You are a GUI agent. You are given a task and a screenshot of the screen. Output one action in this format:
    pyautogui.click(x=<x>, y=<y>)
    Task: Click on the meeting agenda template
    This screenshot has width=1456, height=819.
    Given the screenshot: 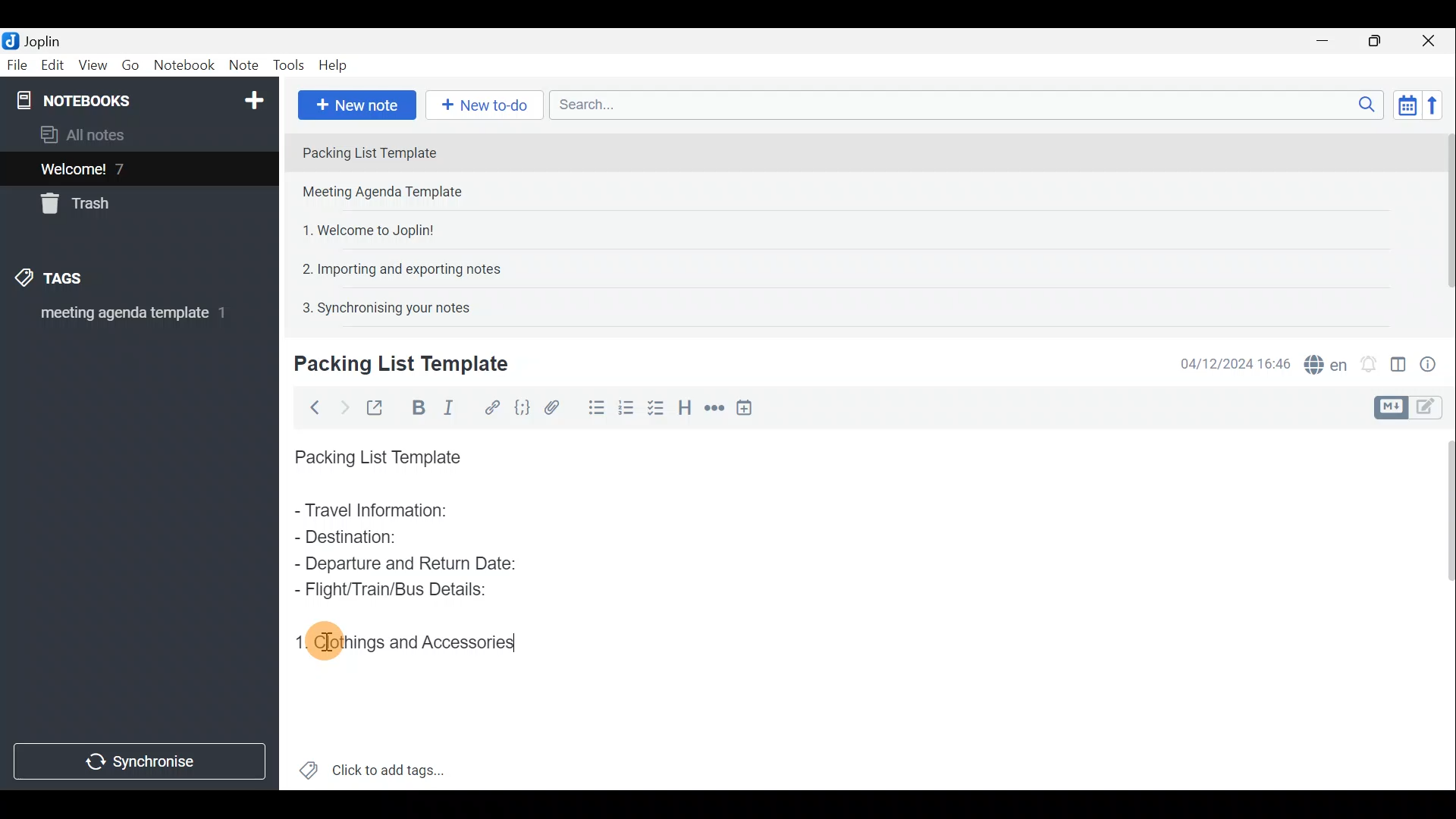 What is the action you would take?
    pyautogui.click(x=130, y=318)
    